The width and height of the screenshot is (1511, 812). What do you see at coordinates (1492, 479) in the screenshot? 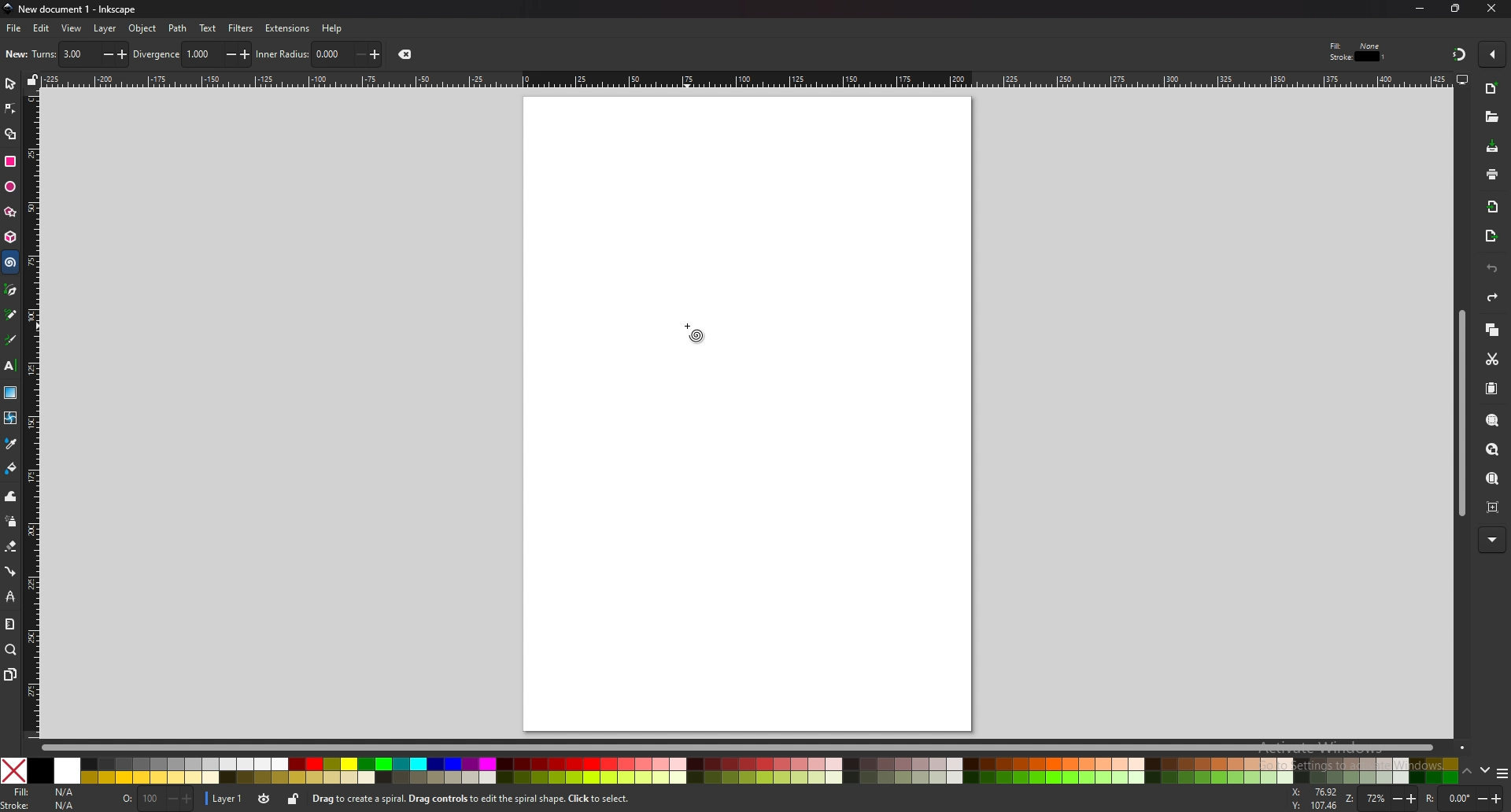
I see `zoom page` at bounding box center [1492, 479].